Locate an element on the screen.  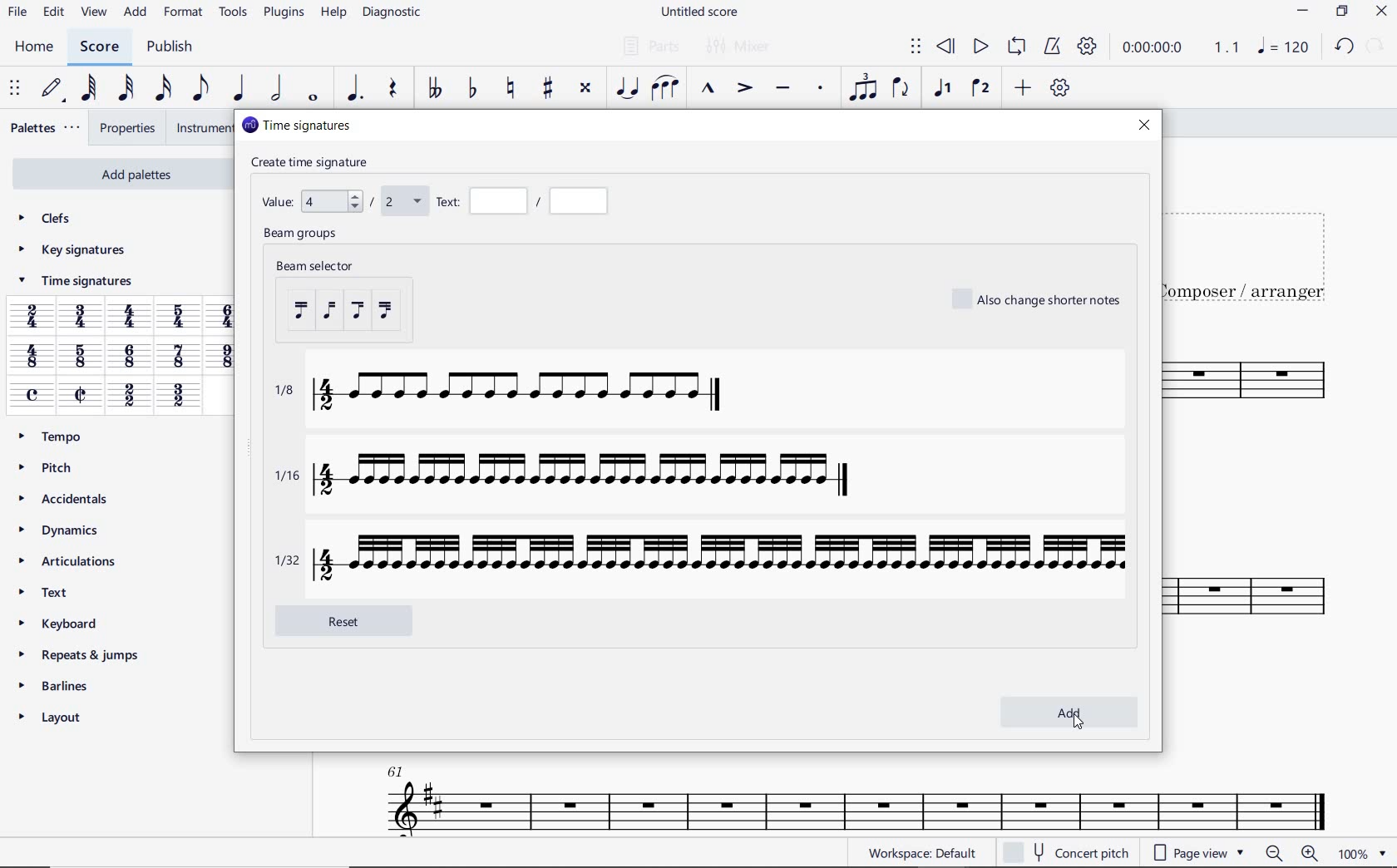
16TH NOTE is located at coordinates (160, 89).